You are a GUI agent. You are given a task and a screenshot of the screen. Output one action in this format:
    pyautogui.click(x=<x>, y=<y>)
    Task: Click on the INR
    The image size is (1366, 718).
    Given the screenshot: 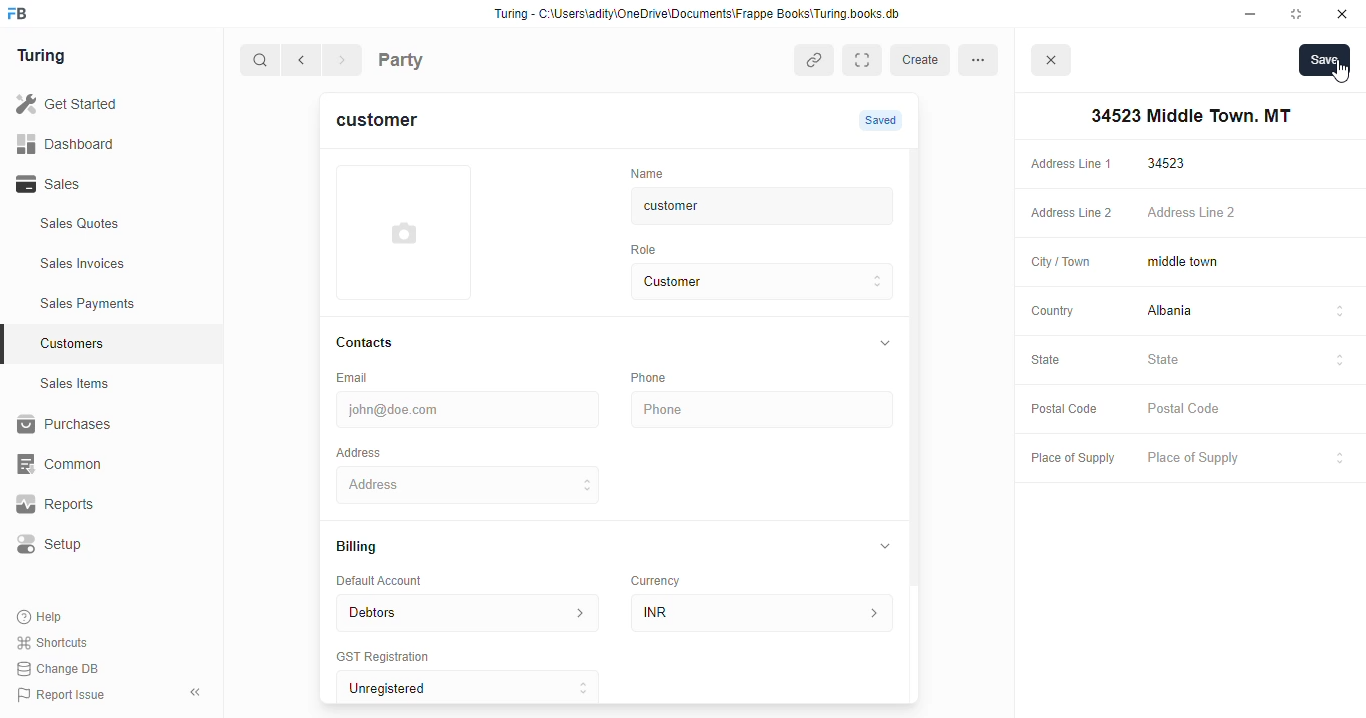 What is the action you would take?
    pyautogui.click(x=766, y=612)
    